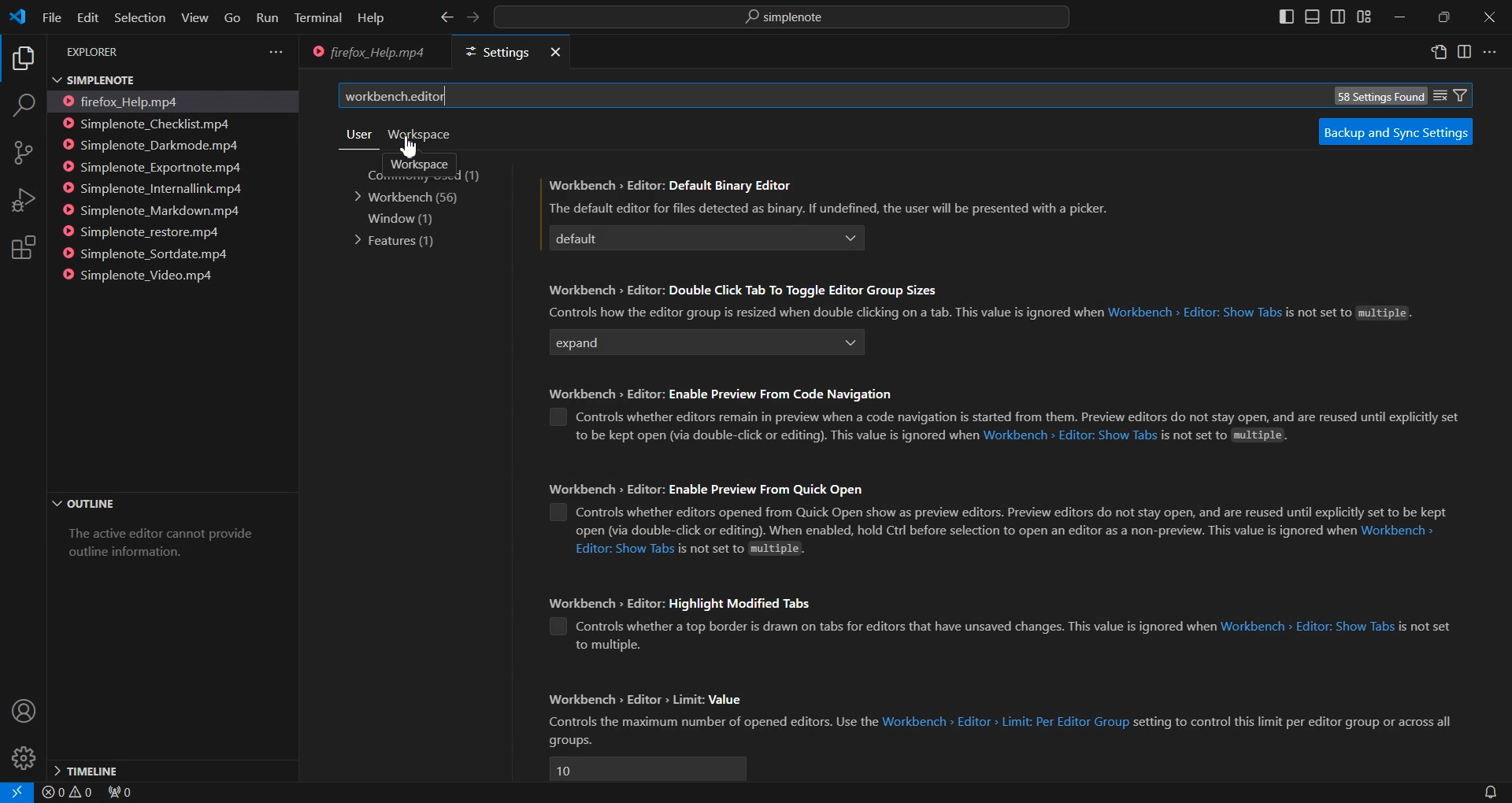 The width and height of the screenshot is (1512, 803). What do you see at coordinates (687, 345) in the screenshot?
I see `Expand Editor group size` at bounding box center [687, 345].